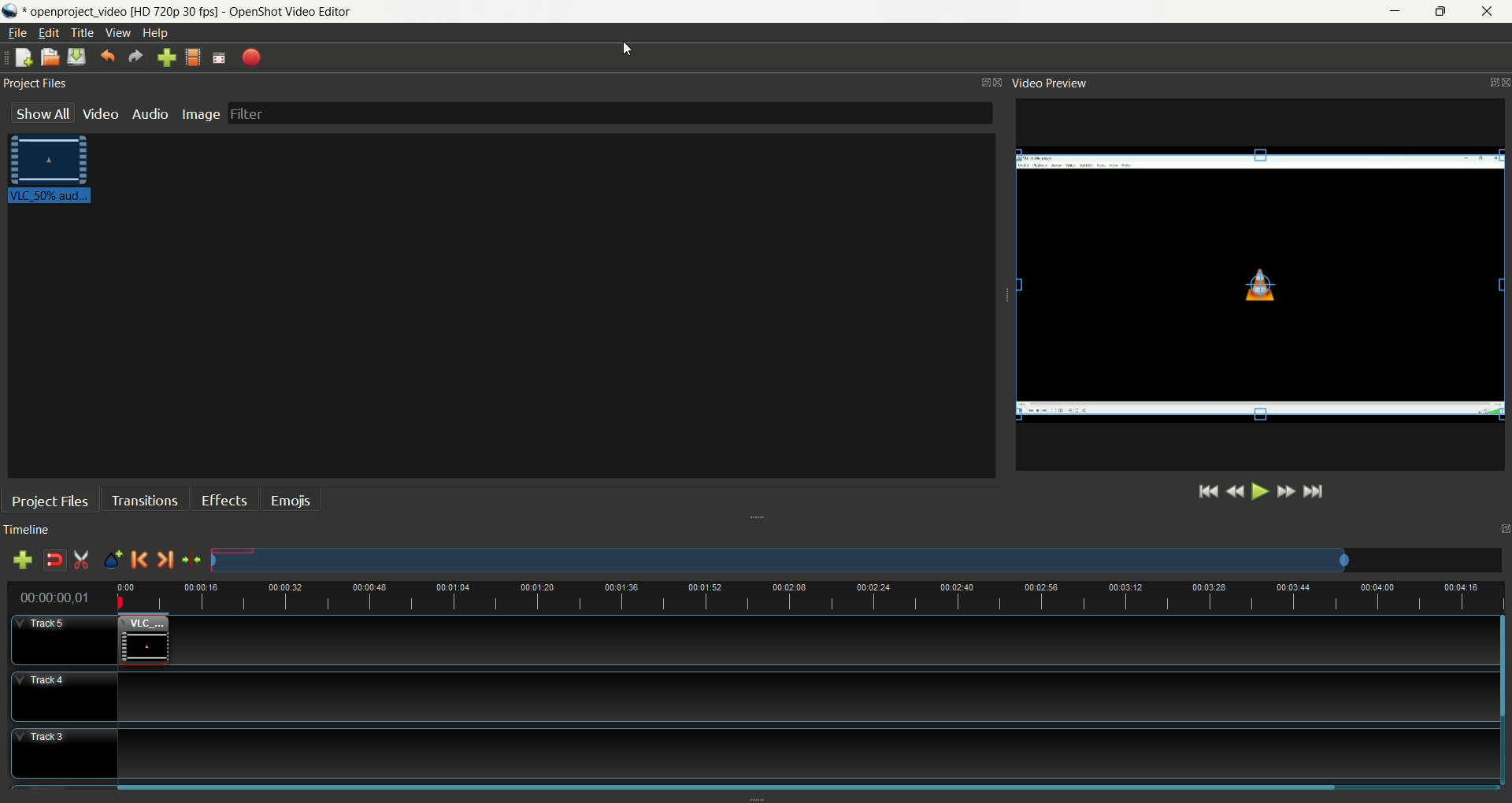 The image size is (1512, 803). I want to click on edit, so click(49, 32).